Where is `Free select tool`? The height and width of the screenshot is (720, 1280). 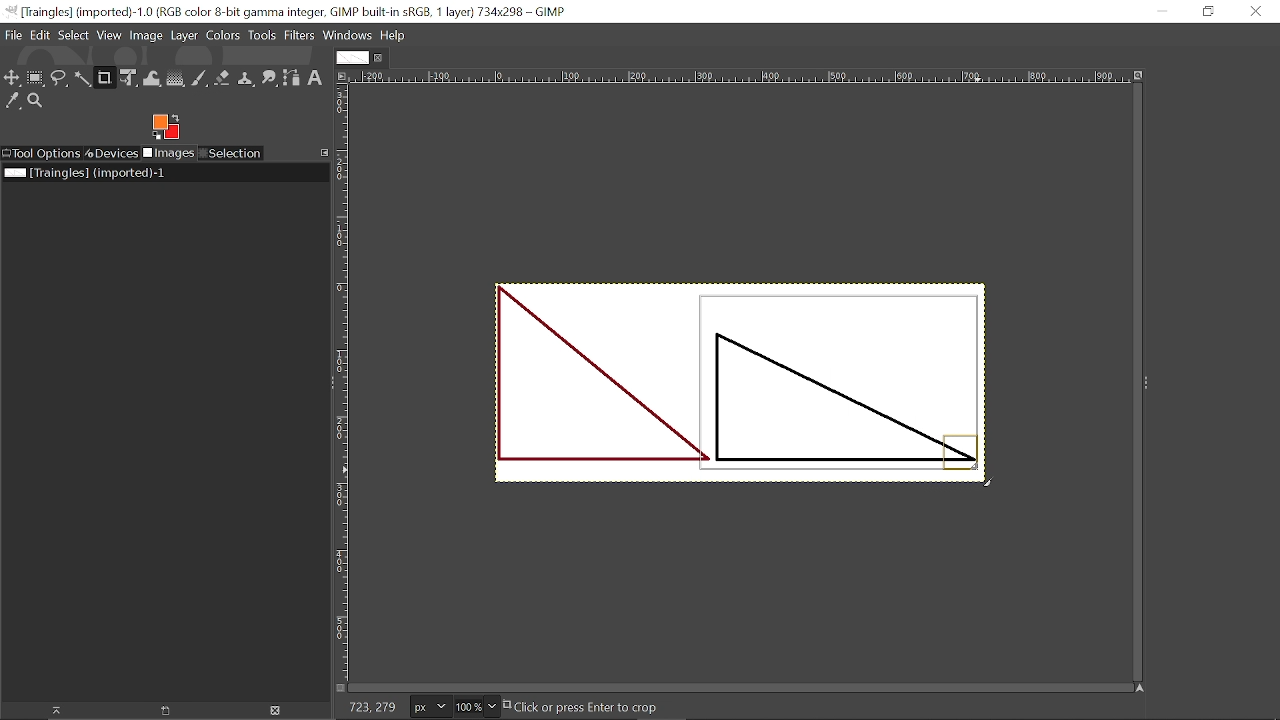
Free select tool is located at coordinates (60, 79).